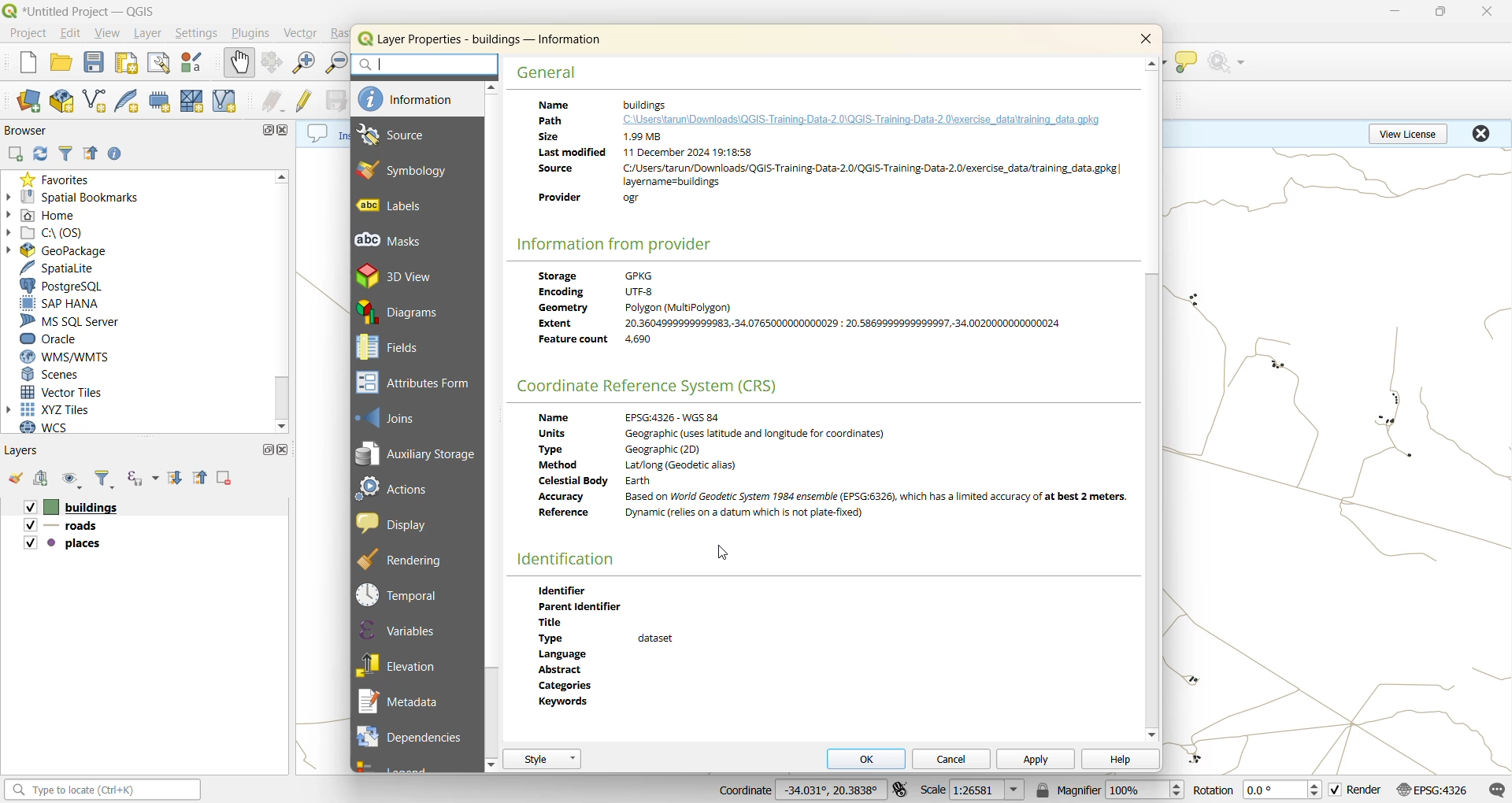  Describe the element at coordinates (1483, 14) in the screenshot. I see `close` at that location.